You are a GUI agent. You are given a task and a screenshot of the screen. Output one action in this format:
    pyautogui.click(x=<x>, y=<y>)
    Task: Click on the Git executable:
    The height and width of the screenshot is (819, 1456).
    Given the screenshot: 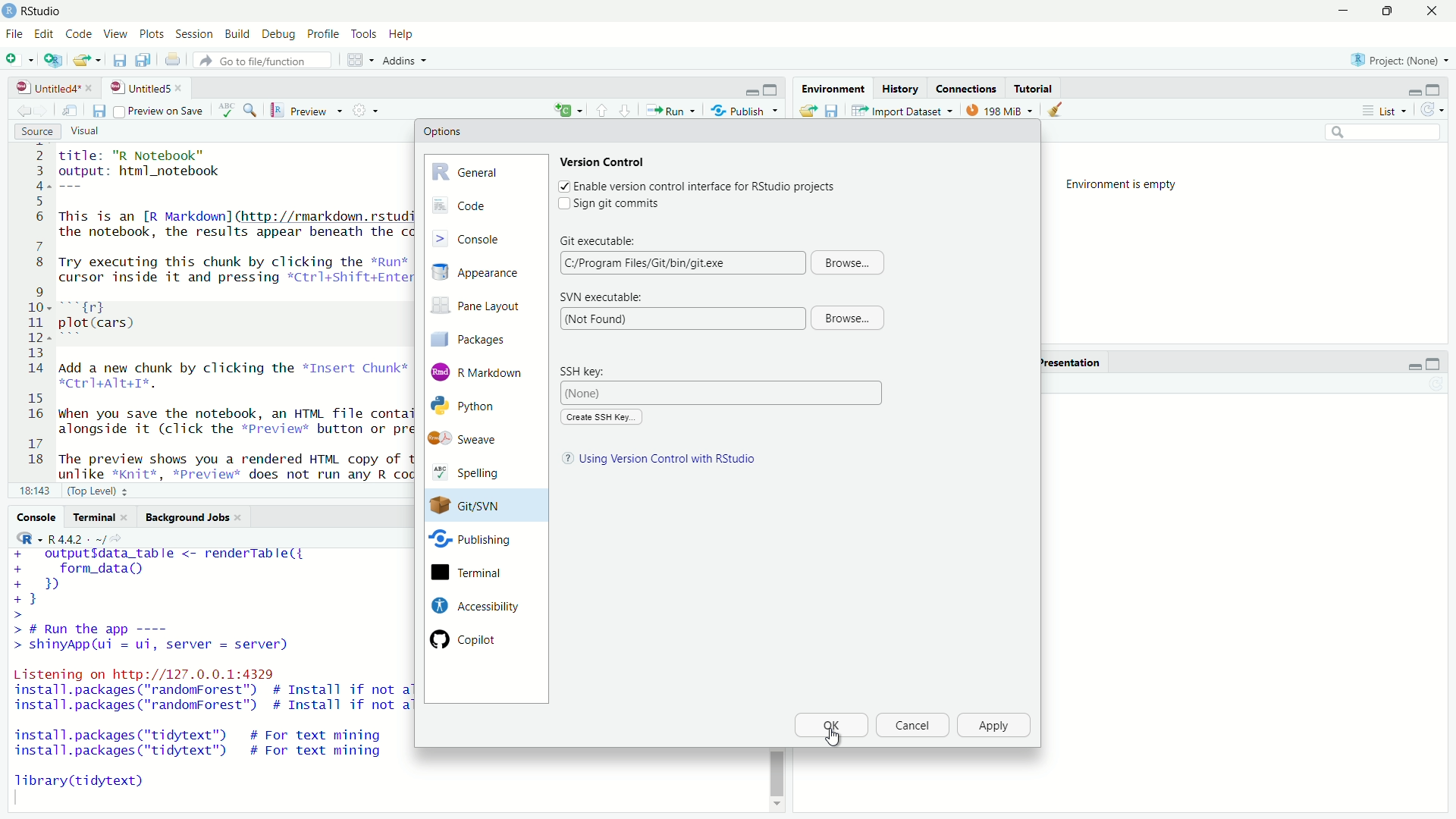 What is the action you would take?
    pyautogui.click(x=599, y=239)
    